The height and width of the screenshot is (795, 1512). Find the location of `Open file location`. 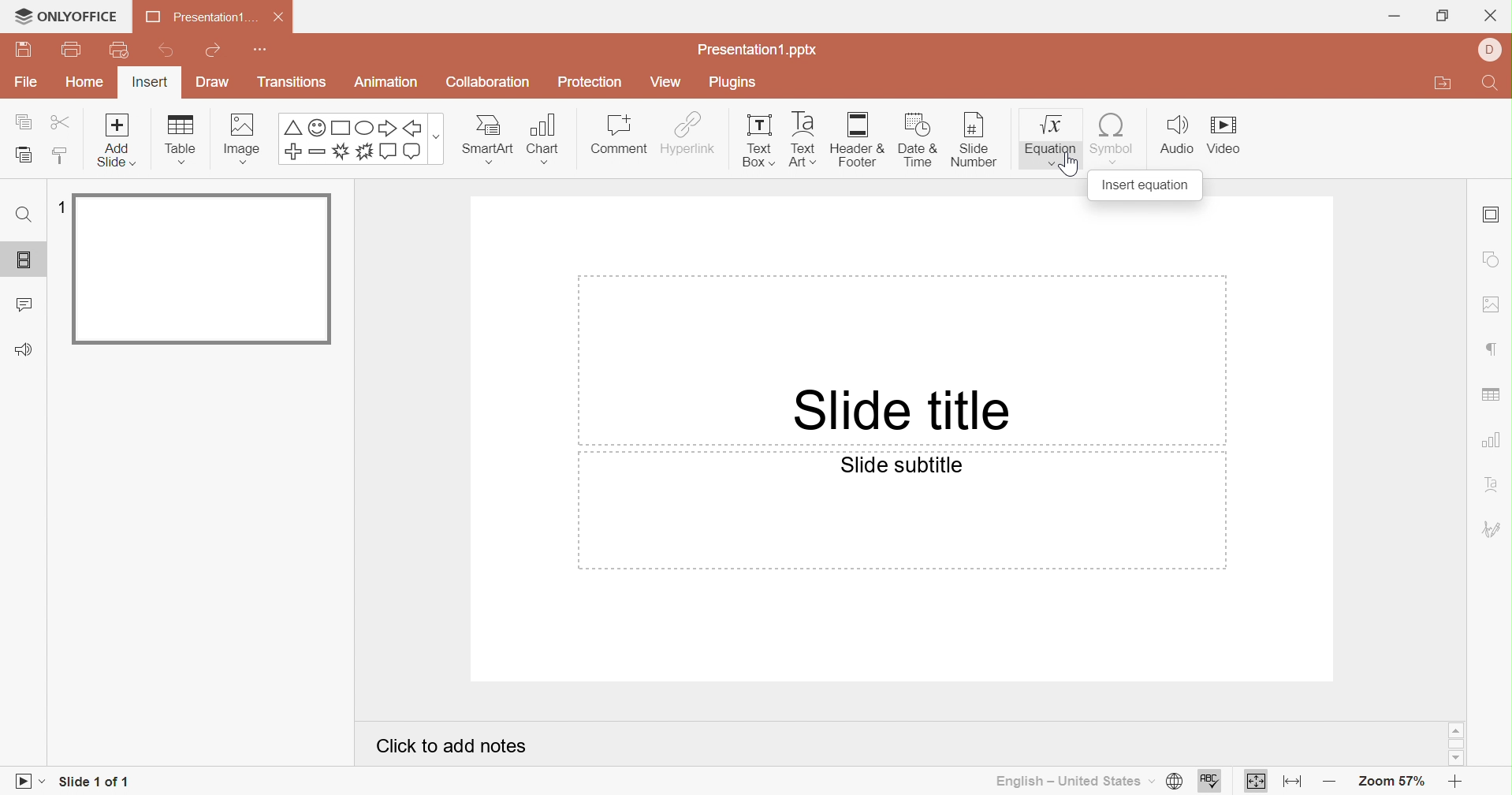

Open file location is located at coordinates (1443, 86).